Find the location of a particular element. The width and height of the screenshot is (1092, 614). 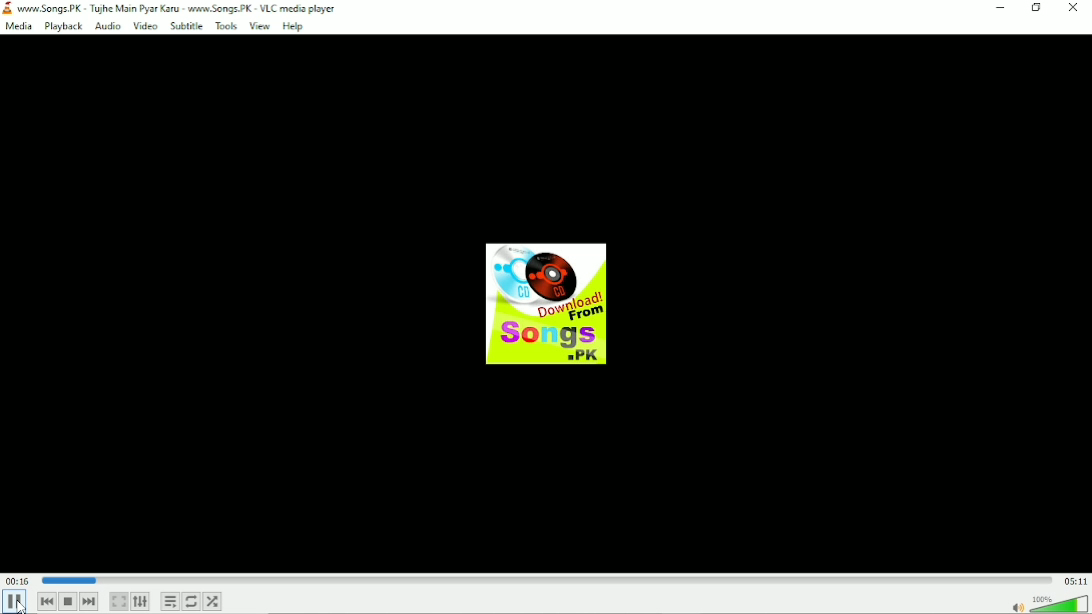

00:16 is located at coordinates (19, 582).